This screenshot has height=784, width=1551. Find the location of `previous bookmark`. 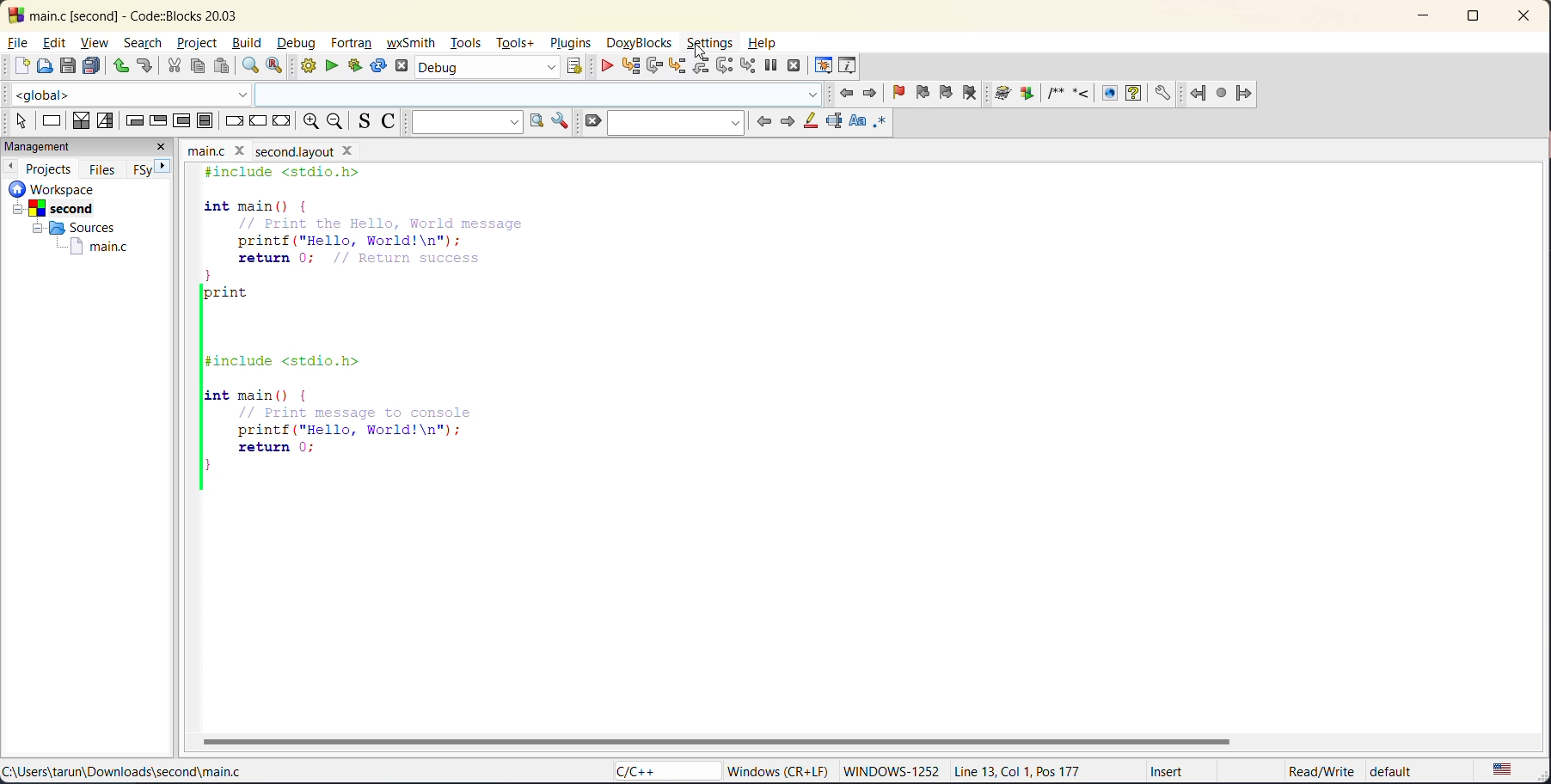

previous bookmark is located at coordinates (925, 93).